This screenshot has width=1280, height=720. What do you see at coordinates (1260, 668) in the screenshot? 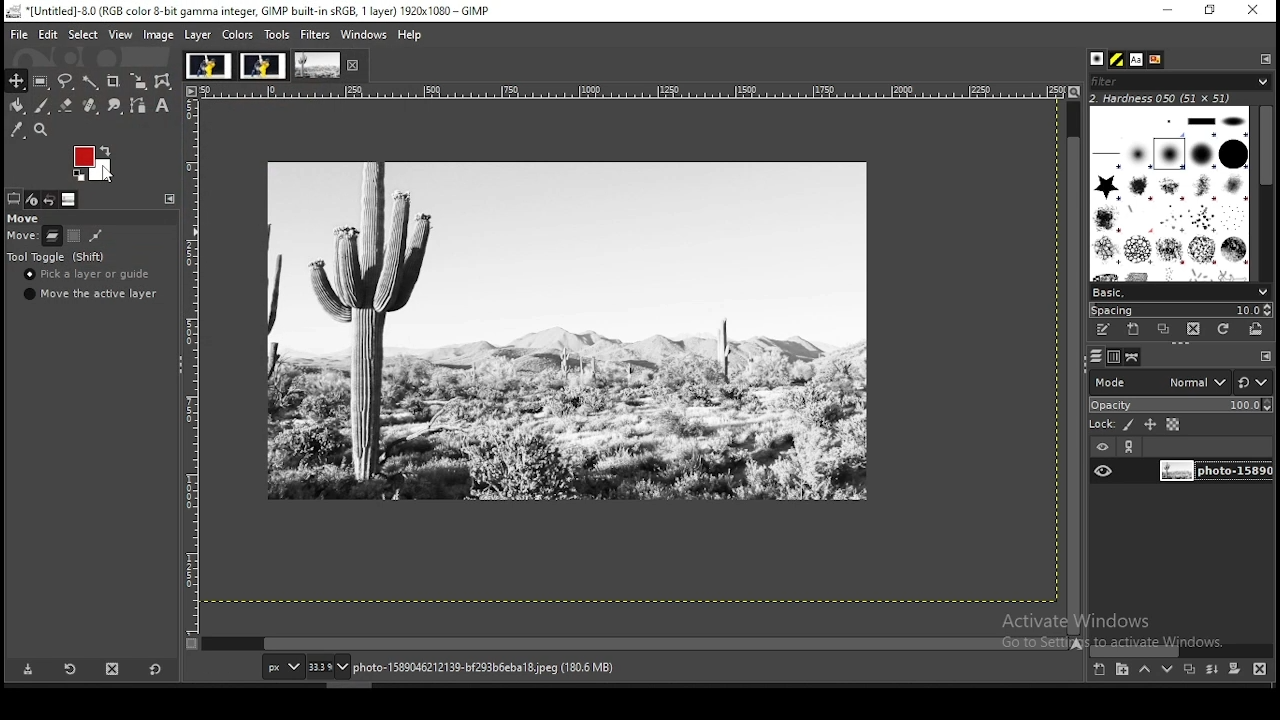
I see `delete this layer` at bounding box center [1260, 668].